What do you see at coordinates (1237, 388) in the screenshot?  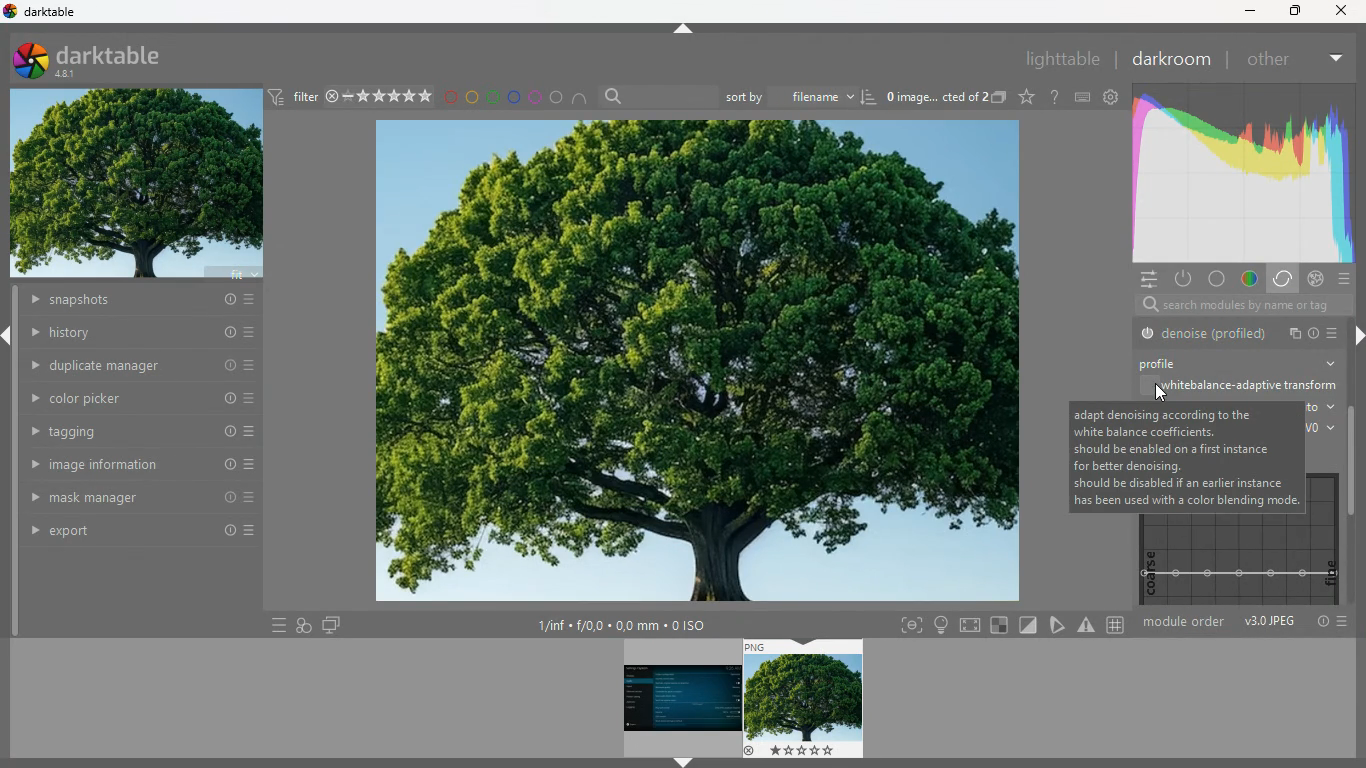 I see `whitebalance` at bounding box center [1237, 388].